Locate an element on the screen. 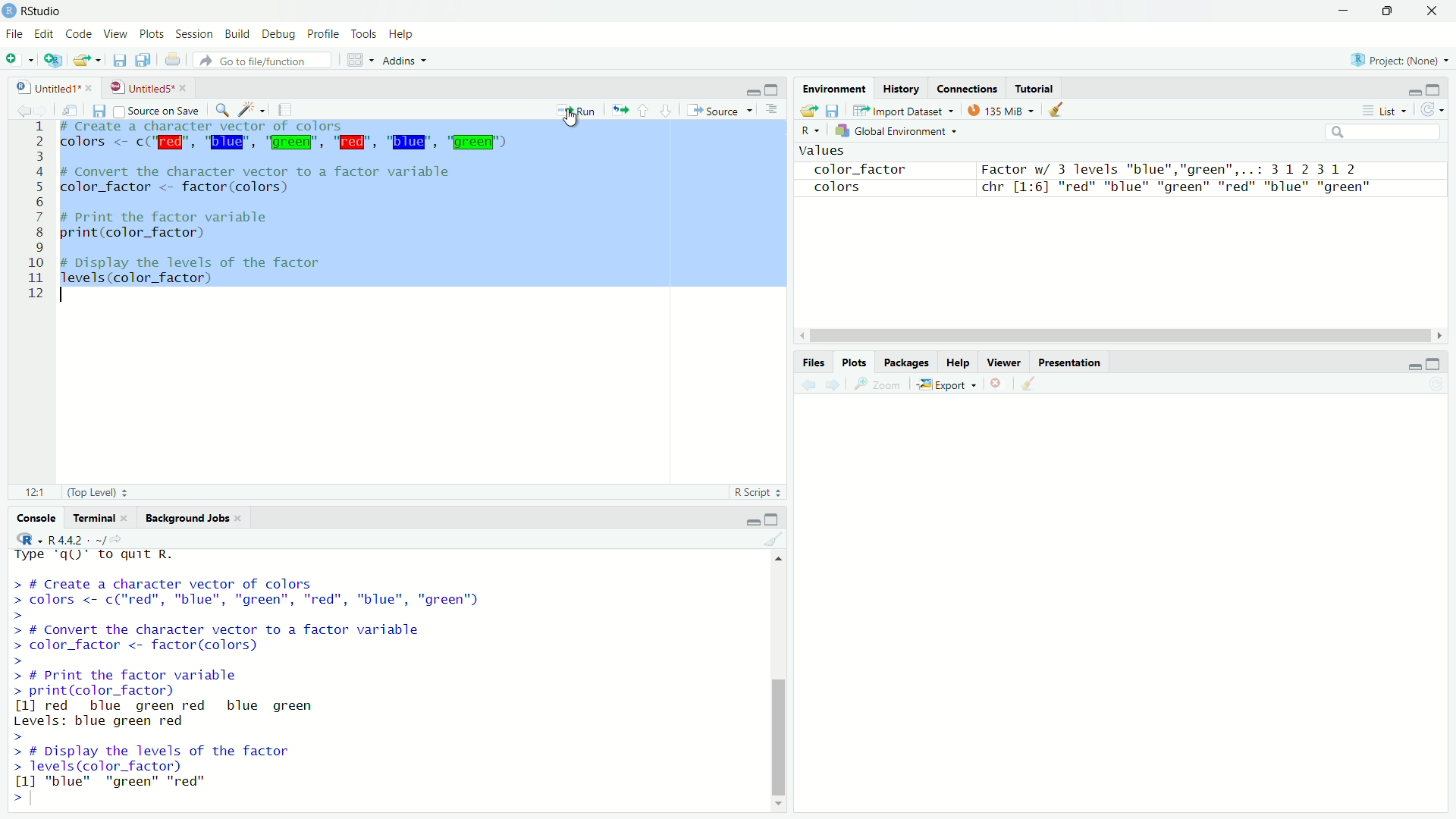 This screenshot has width=1456, height=819. r script is located at coordinates (758, 492).